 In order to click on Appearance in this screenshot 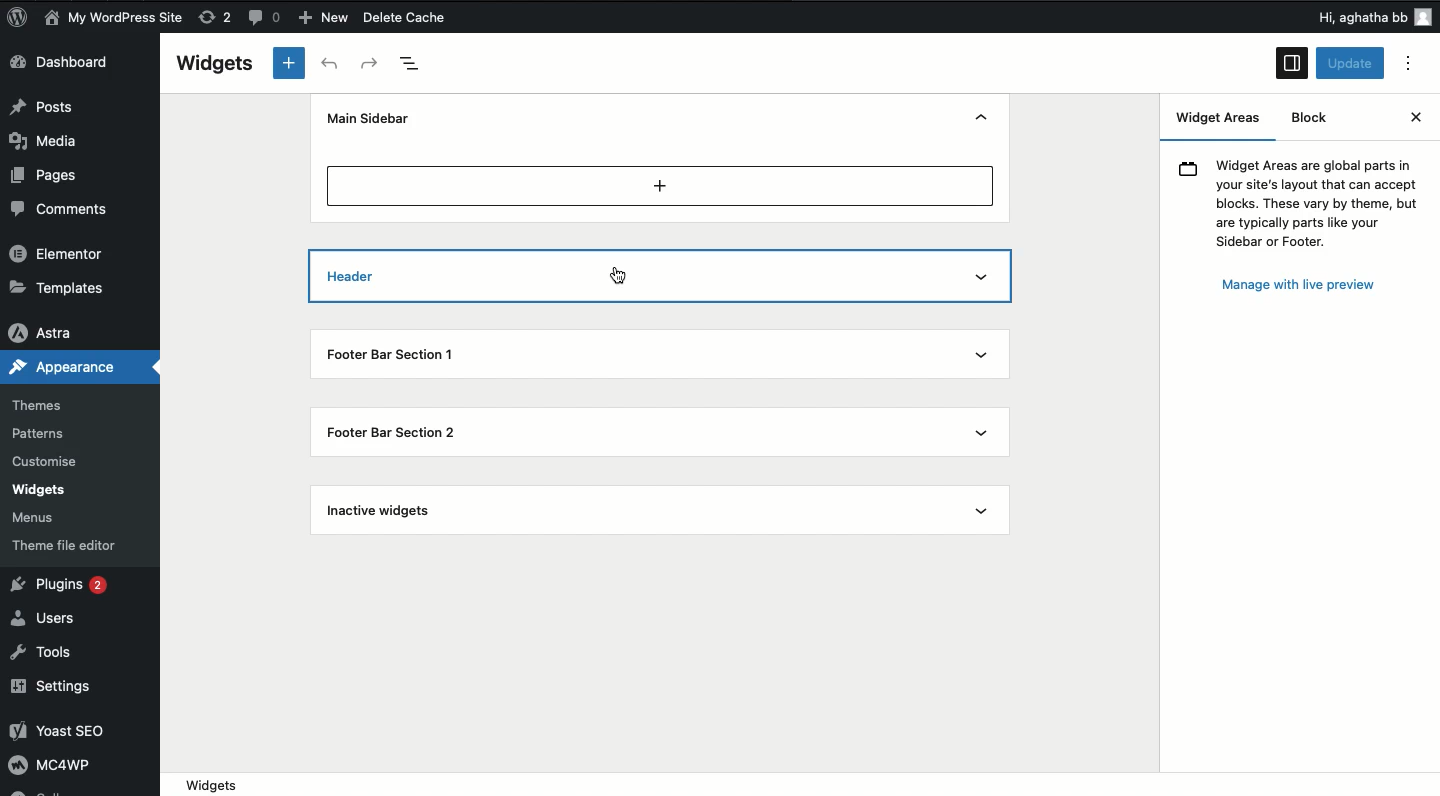, I will do `click(67, 367)`.